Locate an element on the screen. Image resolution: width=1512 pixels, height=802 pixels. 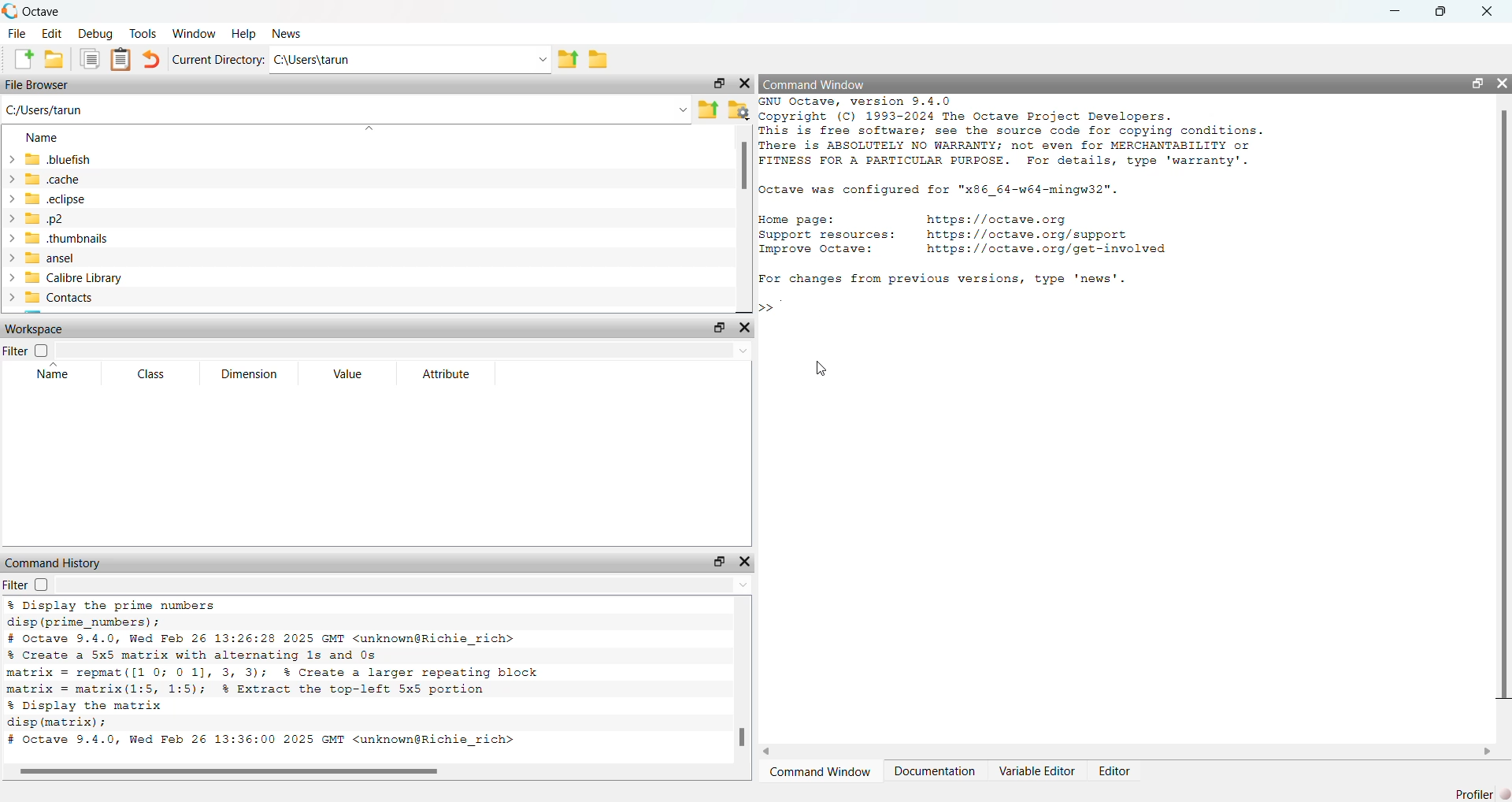
octave is located at coordinates (44, 9).